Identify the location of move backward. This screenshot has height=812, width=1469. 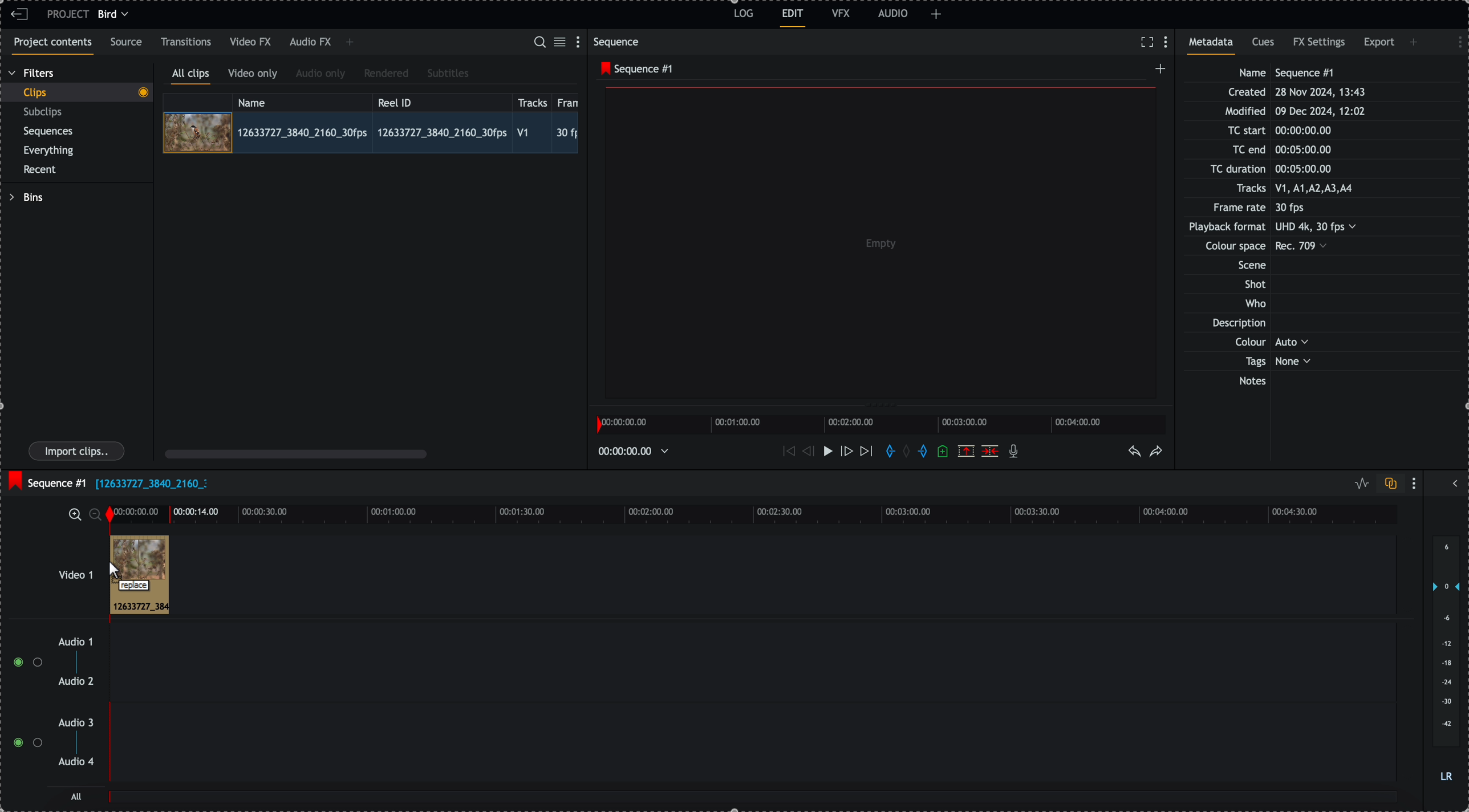
(787, 453).